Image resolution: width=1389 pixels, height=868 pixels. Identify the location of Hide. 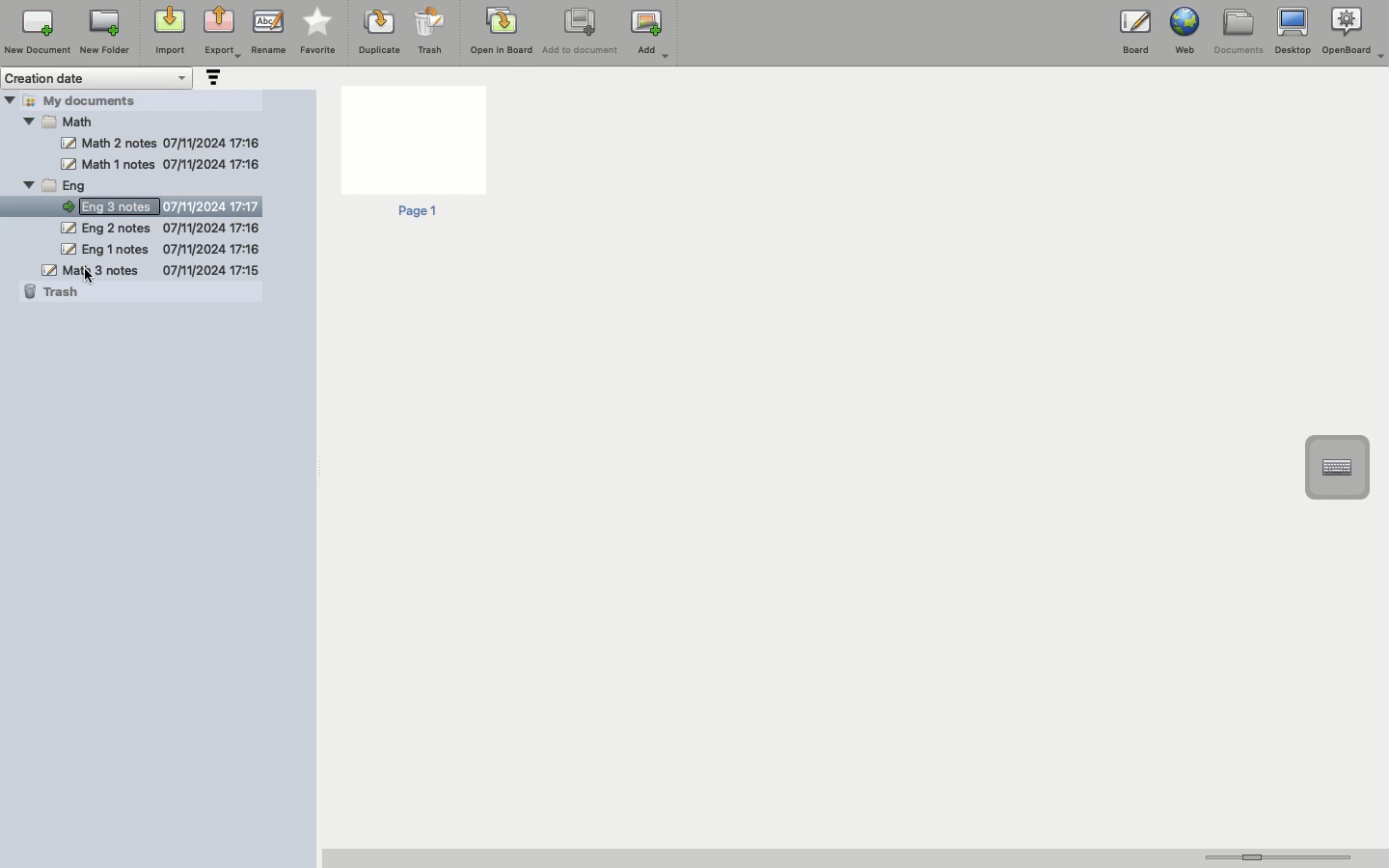
(68, 144).